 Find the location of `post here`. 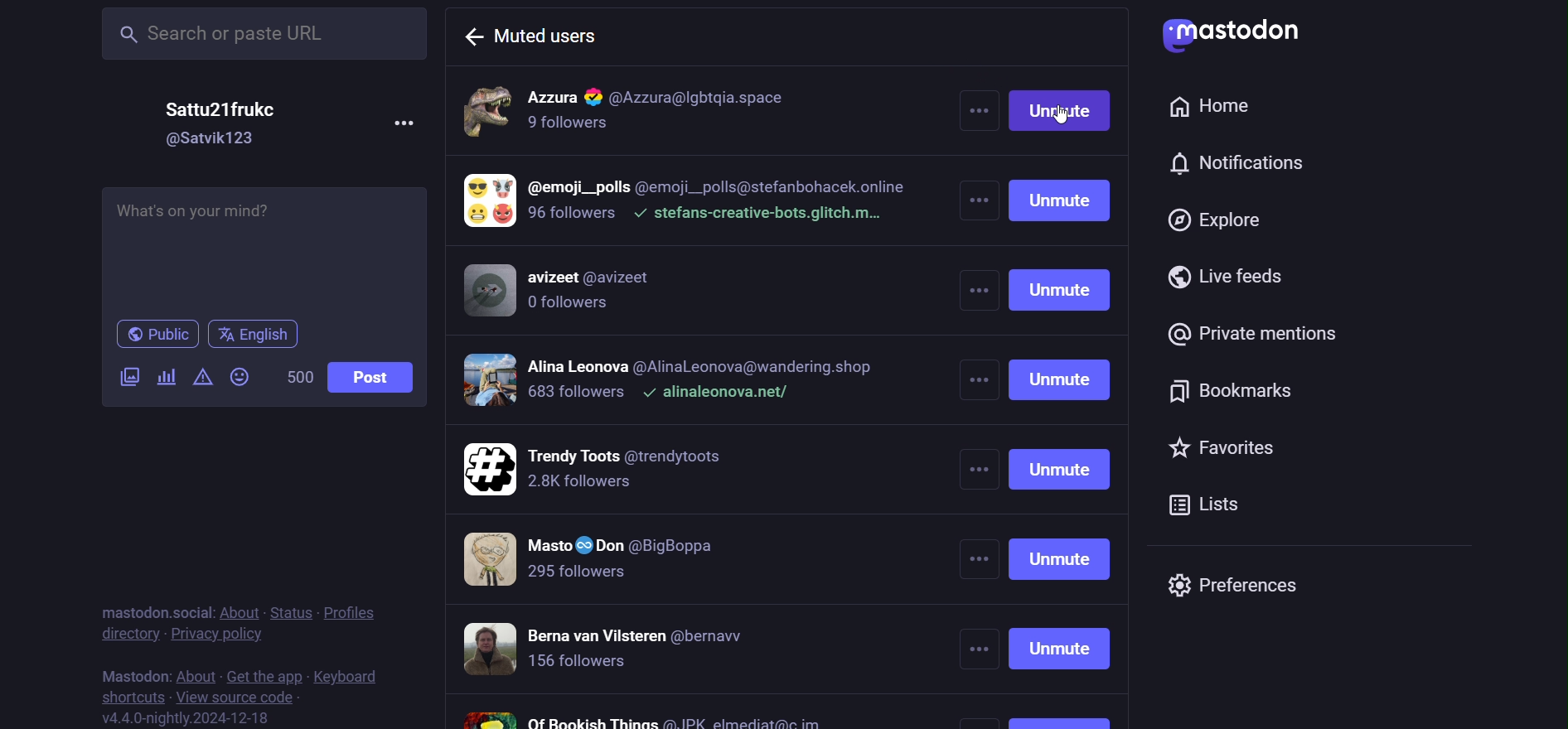

post here is located at coordinates (264, 247).